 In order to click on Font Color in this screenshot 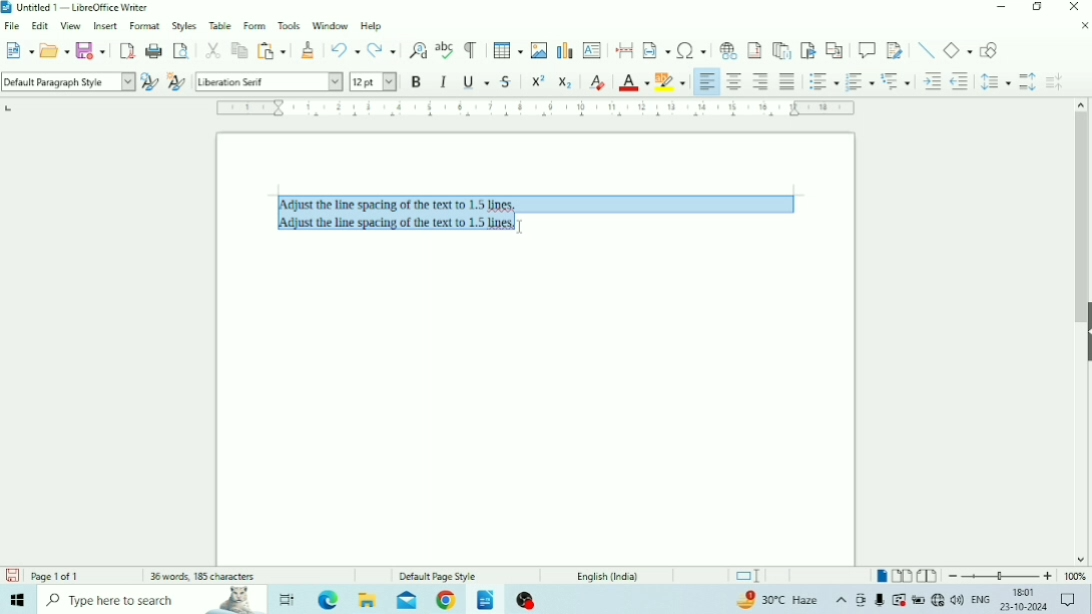, I will do `click(634, 82)`.